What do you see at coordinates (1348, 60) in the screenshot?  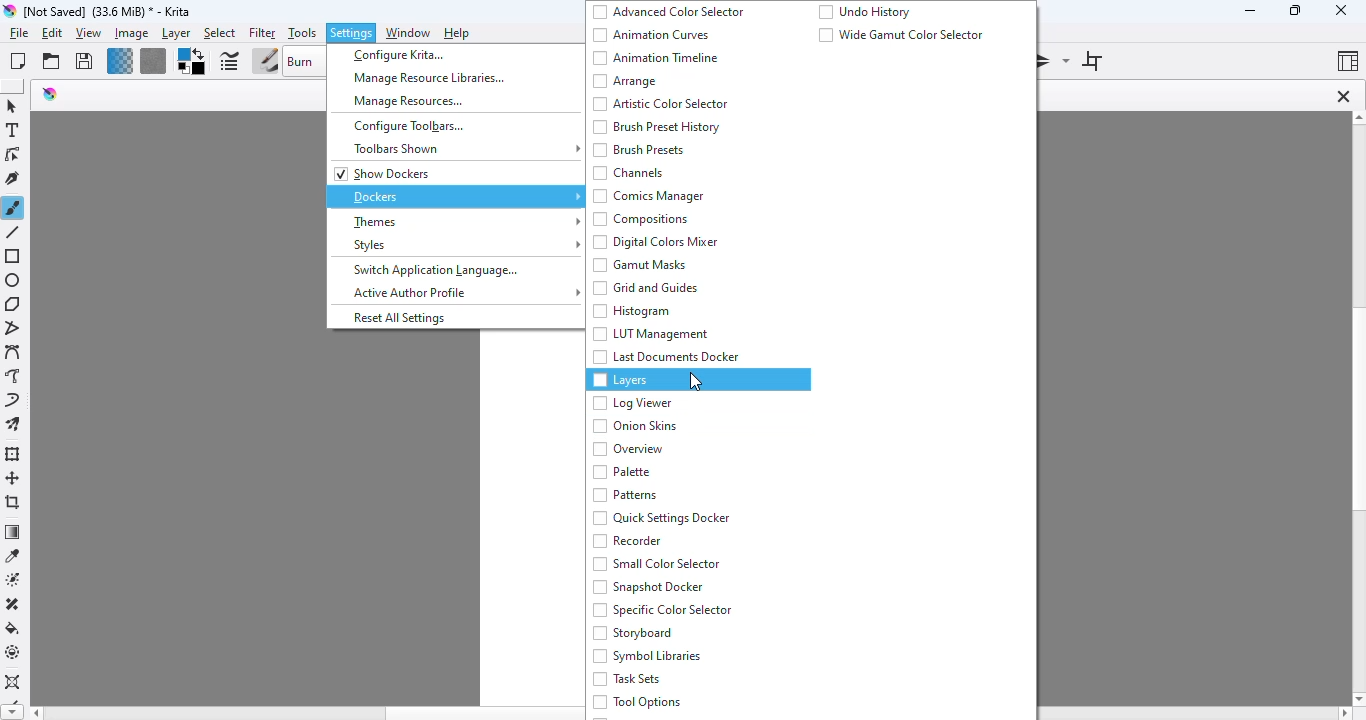 I see `Choose workspace` at bounding box center [1348, 60].